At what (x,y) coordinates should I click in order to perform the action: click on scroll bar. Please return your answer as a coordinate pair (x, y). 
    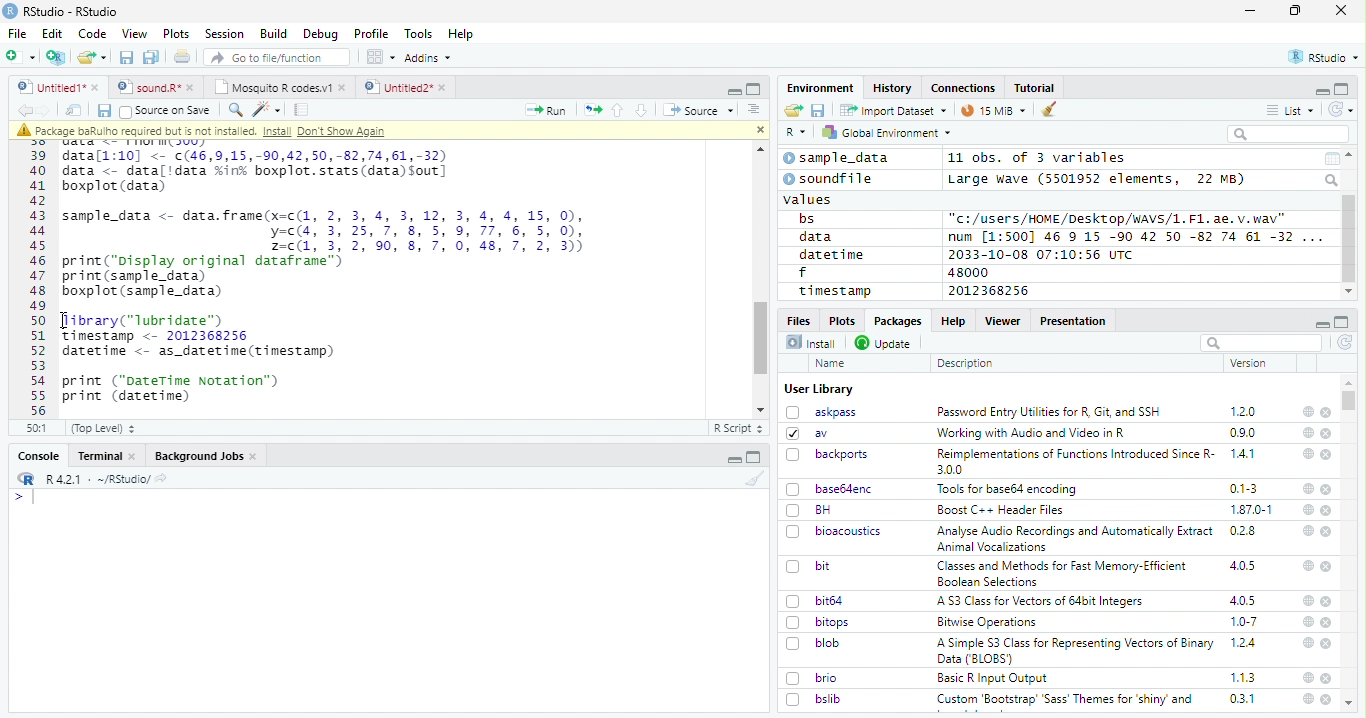
    Looking at the image, I should click on (762, 337).